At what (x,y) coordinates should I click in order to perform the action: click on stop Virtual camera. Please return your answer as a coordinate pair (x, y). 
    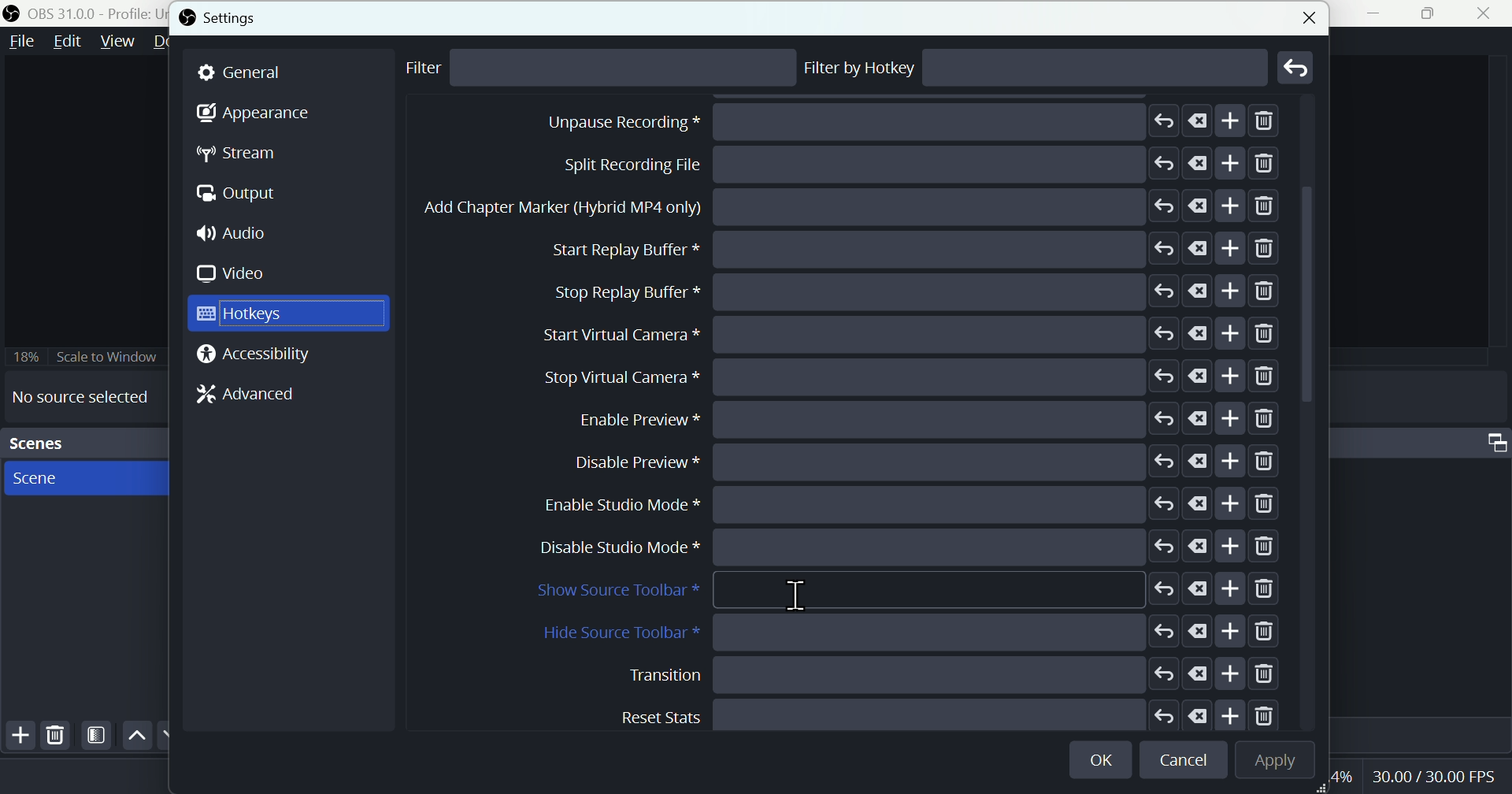
    Looking at the image, I should click on (906, 547).